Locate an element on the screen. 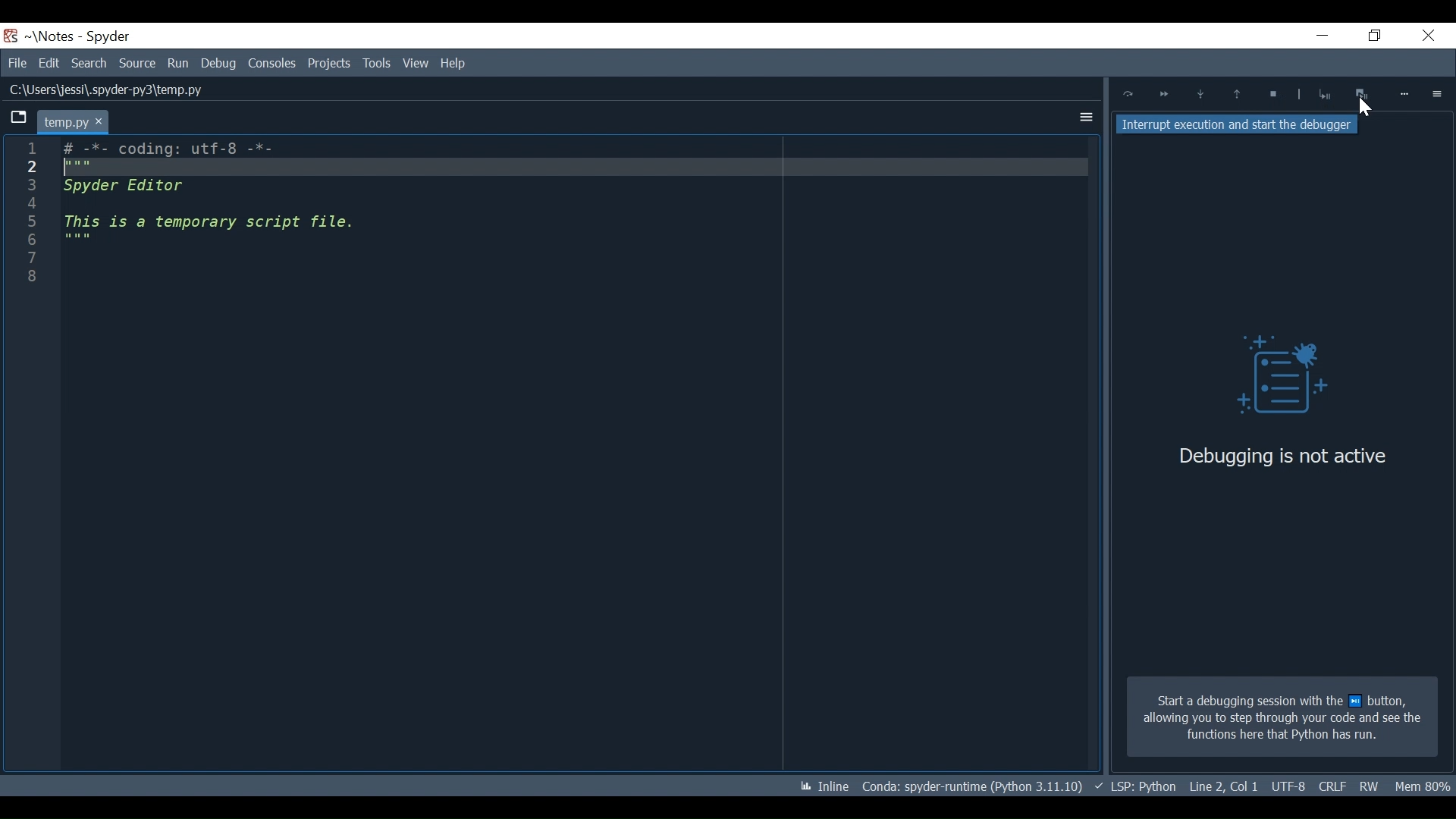  Cursor is located at coordinates (1364, 108).